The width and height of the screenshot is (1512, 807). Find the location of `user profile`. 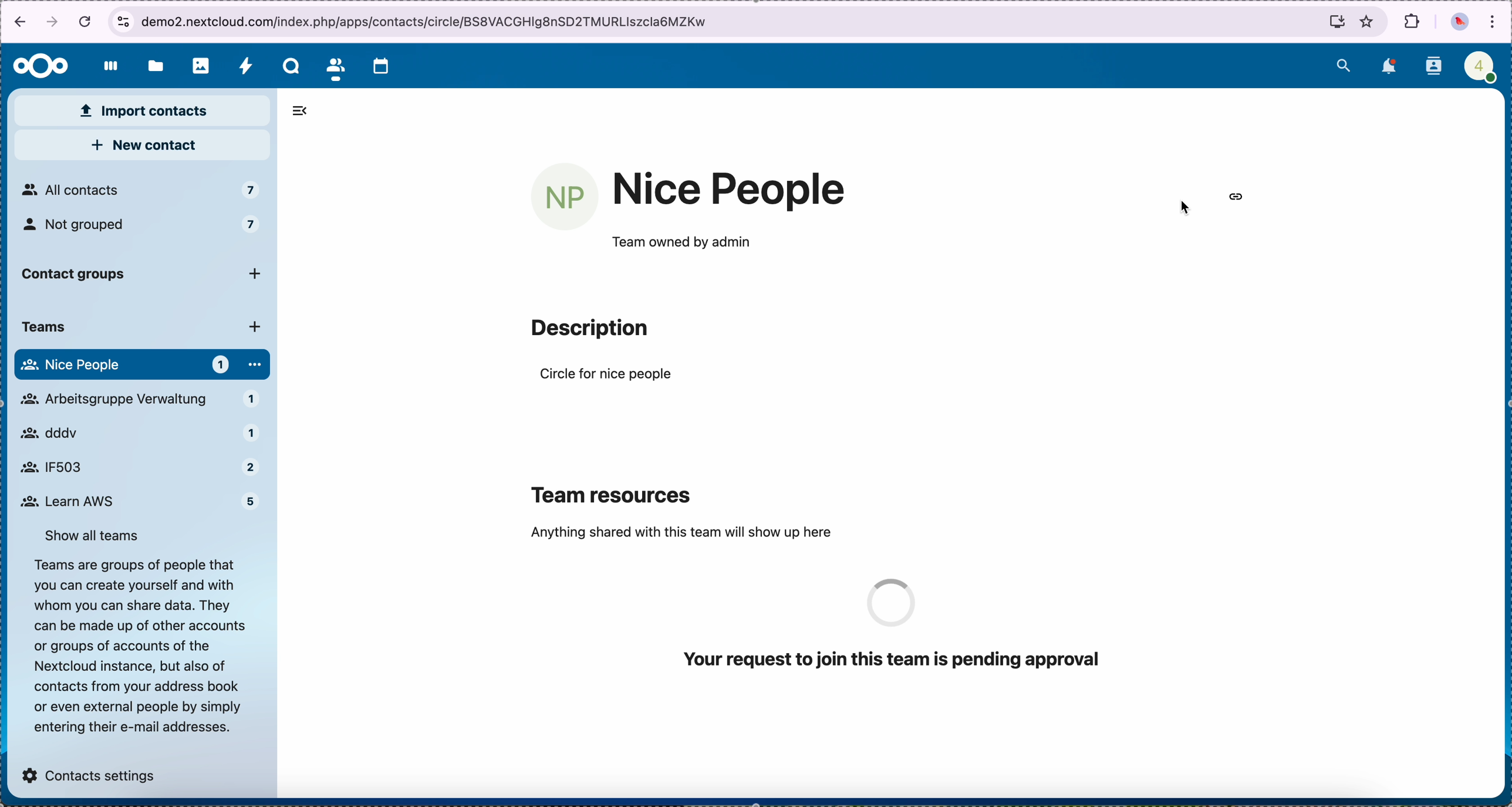

user profile is located at coordinates (1478, 65).